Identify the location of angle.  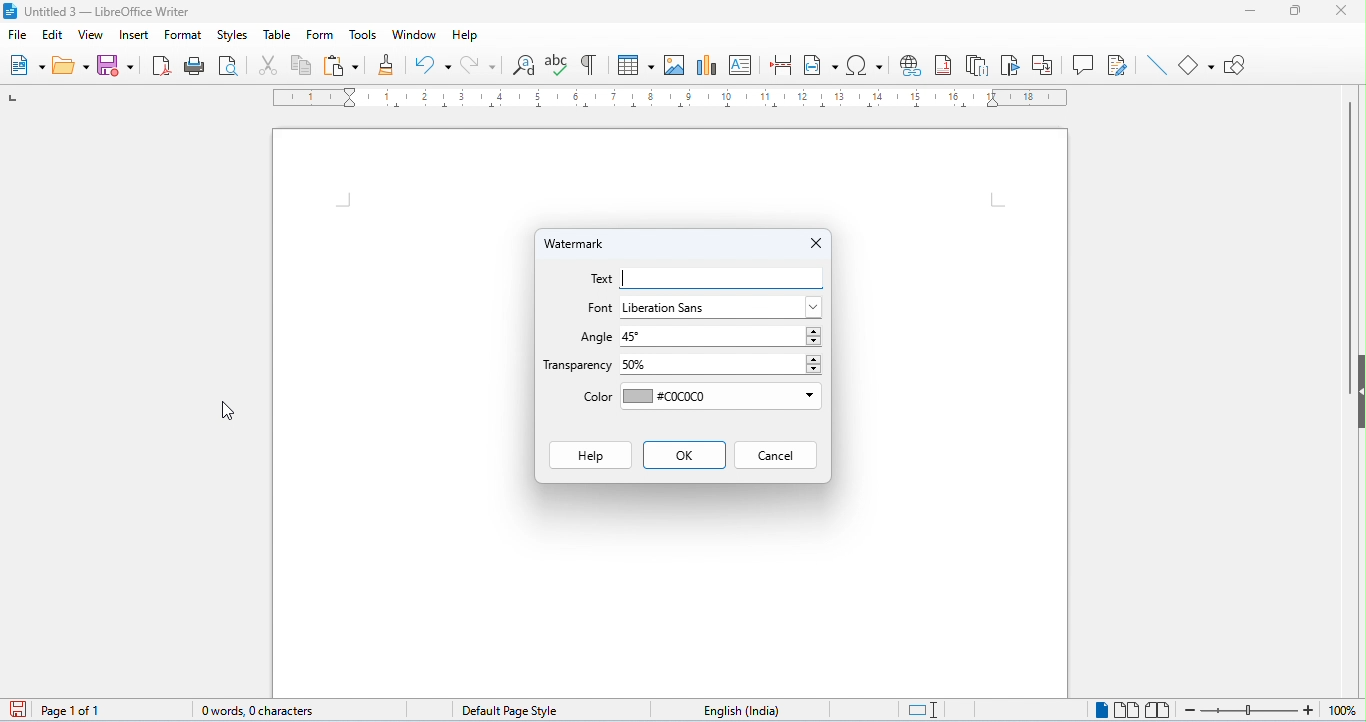
(594, 339).